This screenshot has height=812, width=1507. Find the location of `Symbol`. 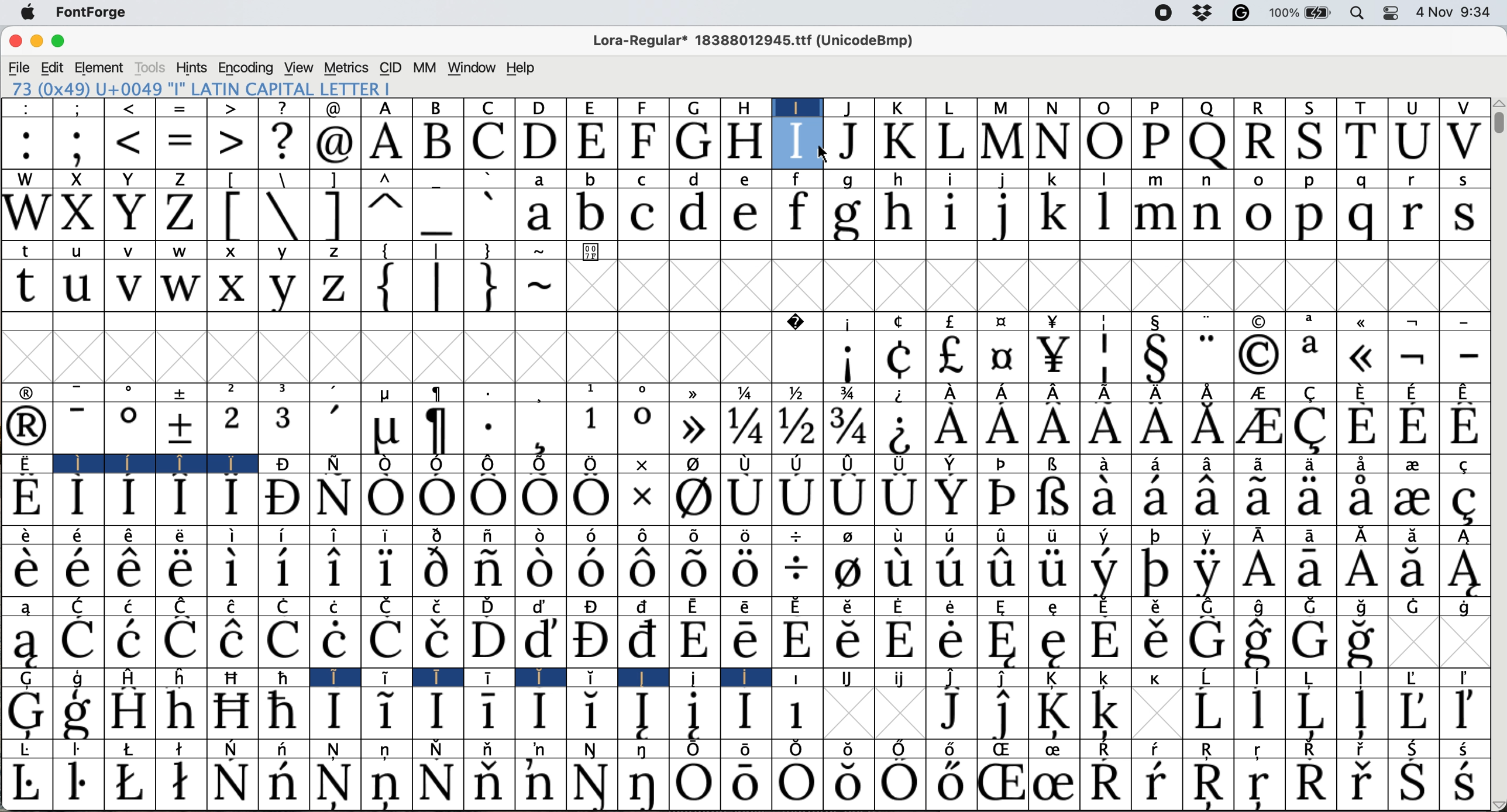

Symbol is located at coordinates (1361, 783).